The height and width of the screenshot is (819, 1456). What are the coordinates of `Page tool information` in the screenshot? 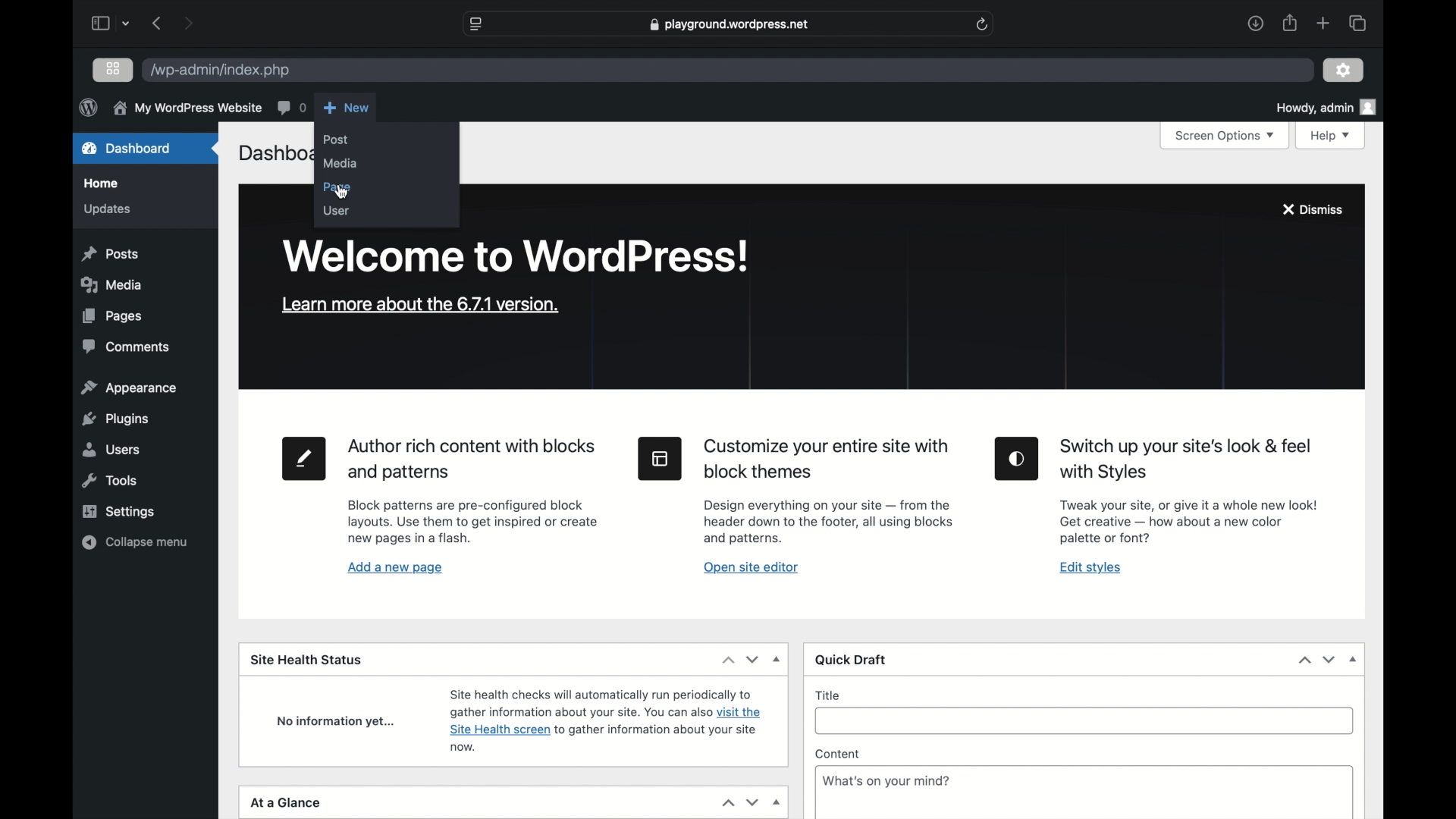 It's located at (473, 523).